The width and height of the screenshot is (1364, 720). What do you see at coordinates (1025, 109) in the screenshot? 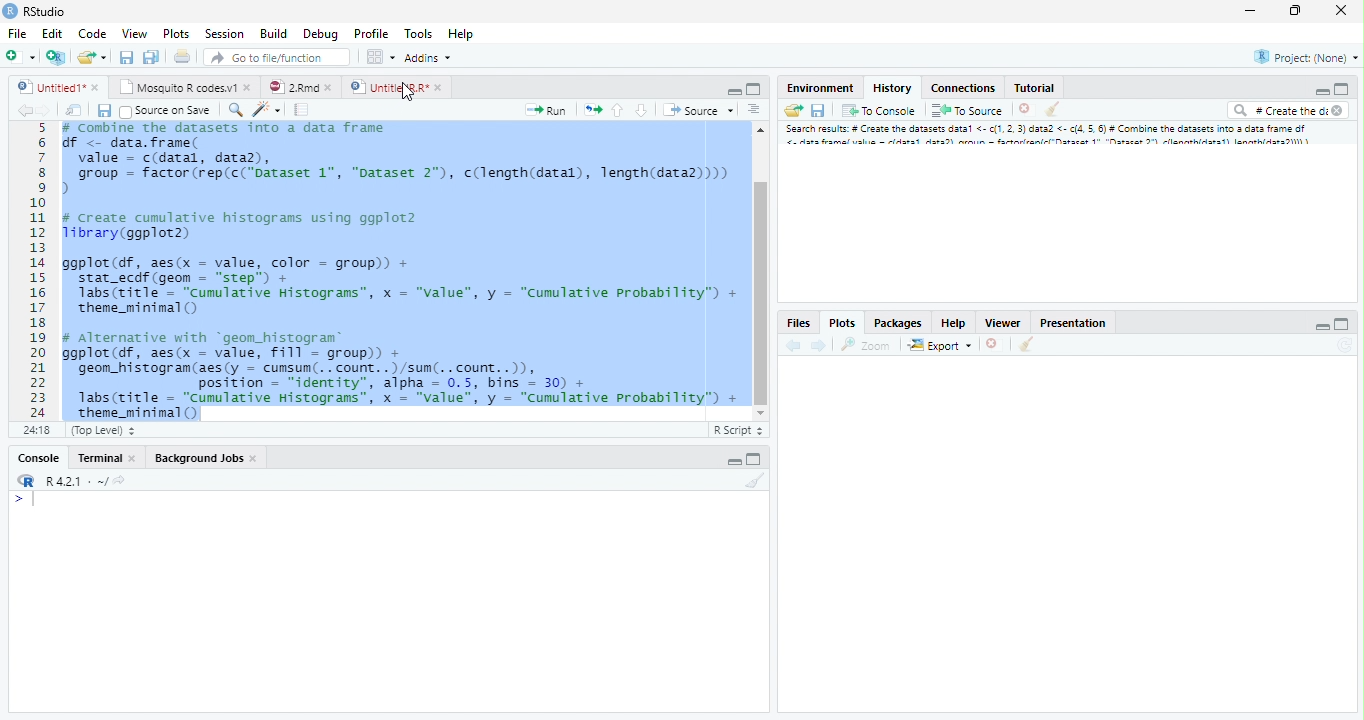
I see `Delete` at bounding box center [1025, 109].